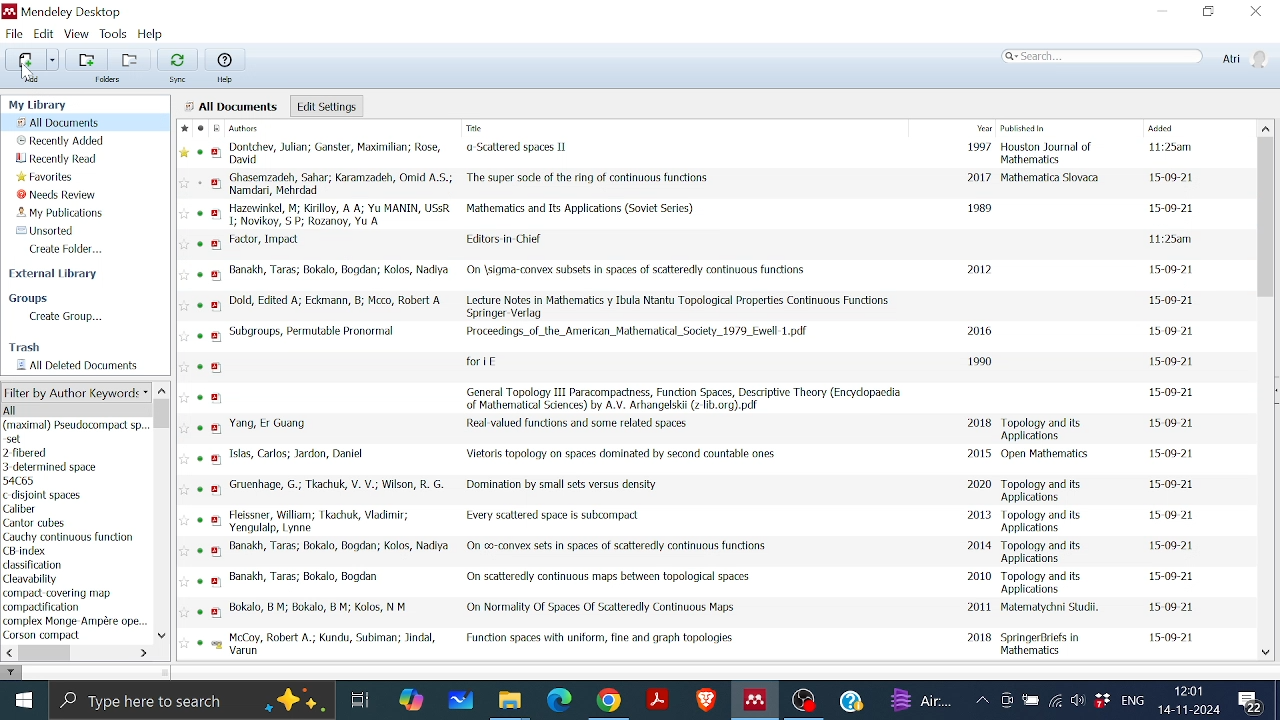 The height and width of the screenshot is (720, 1280). What do you see at coordinates (1167, 636) in the screenshot?
I see `date` at bounding box center [1167, 636].